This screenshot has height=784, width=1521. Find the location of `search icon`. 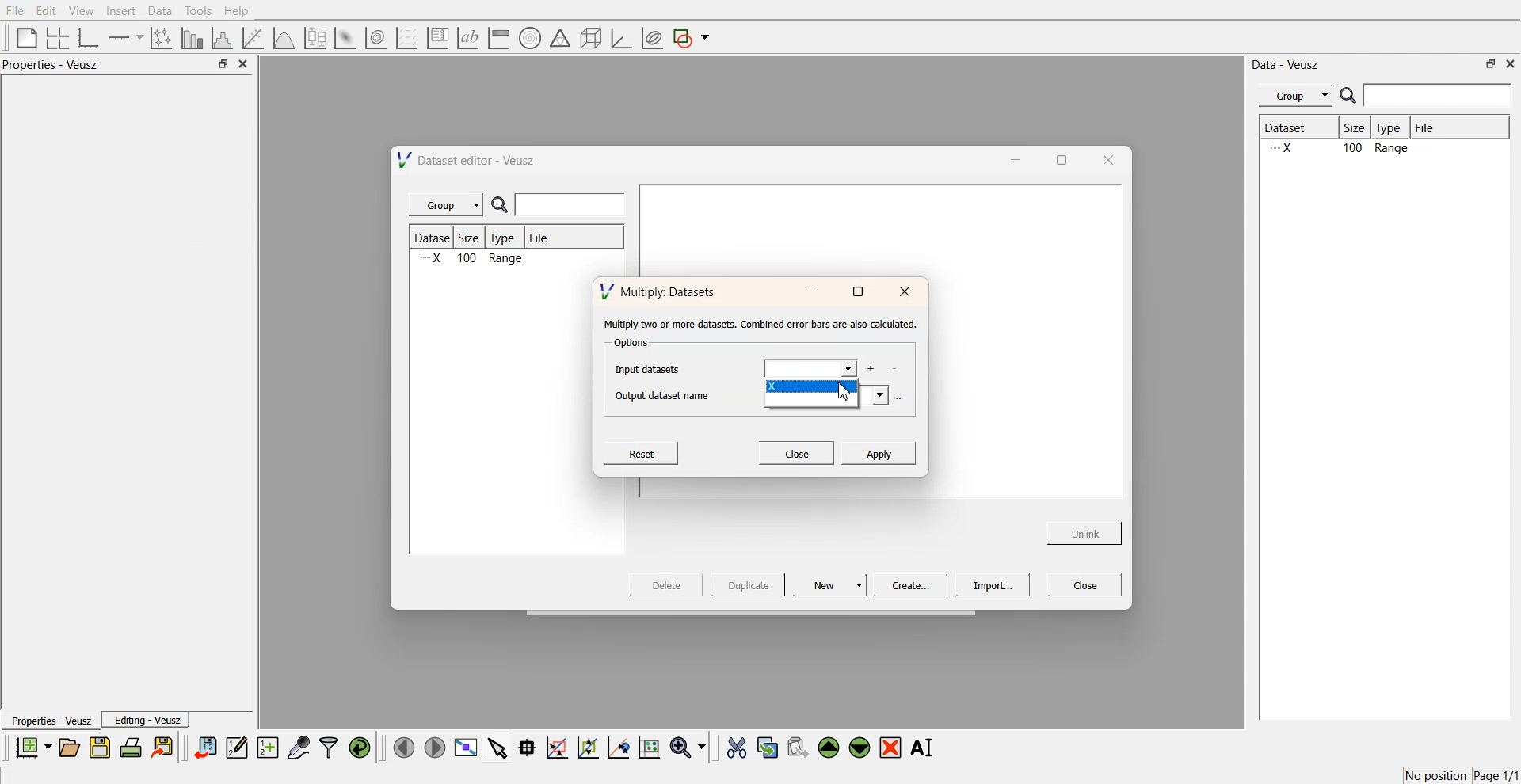

search icon is located at coordinates (503, 206).